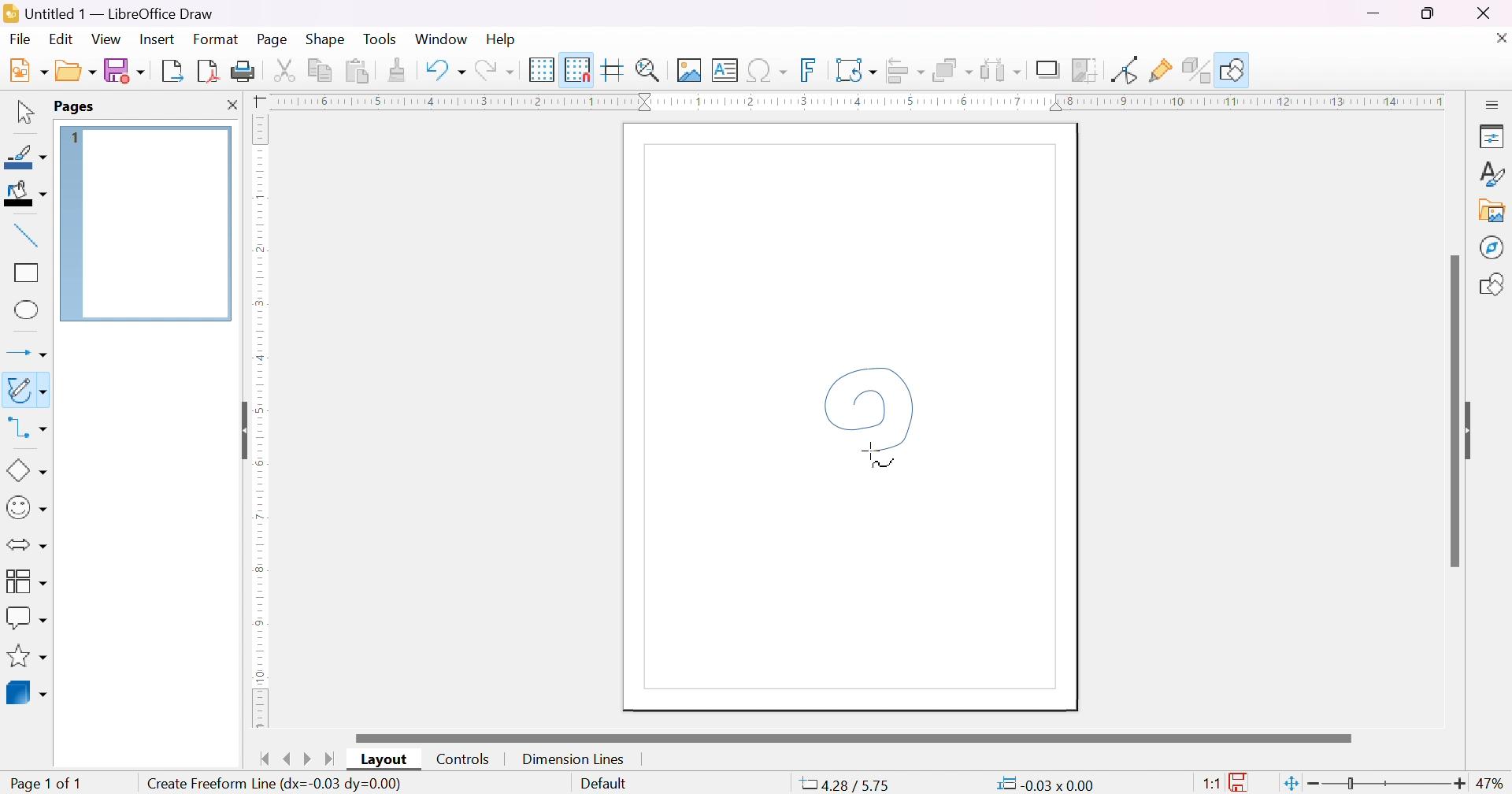 This screenshot has height=794, width=1512. What do you see at coordinates (26, 693) in the screenshot?
I see `3D objects` at bounding box center [26, 693].